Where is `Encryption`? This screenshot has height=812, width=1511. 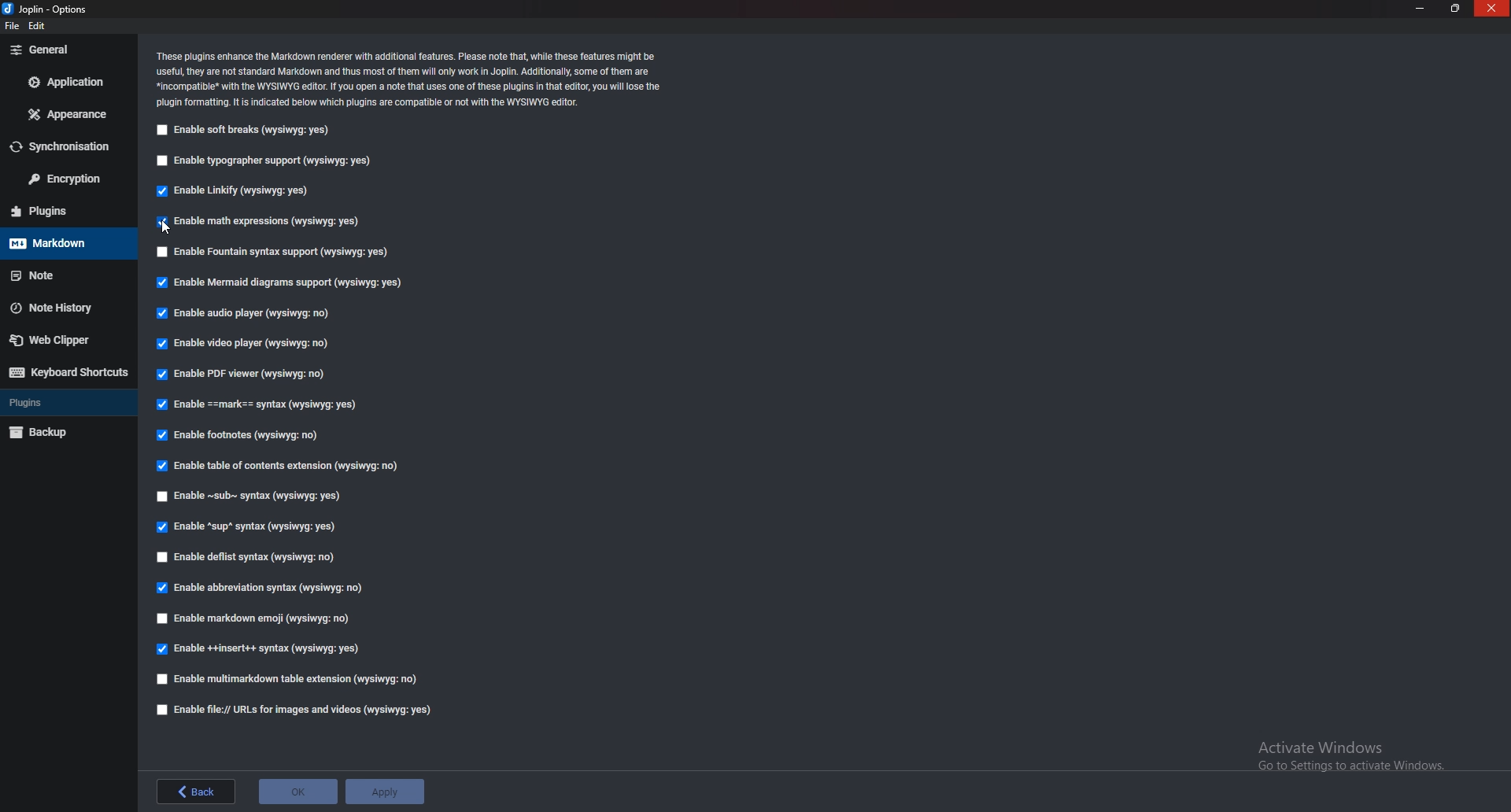
Encryption is located at coordinates (68, 179).